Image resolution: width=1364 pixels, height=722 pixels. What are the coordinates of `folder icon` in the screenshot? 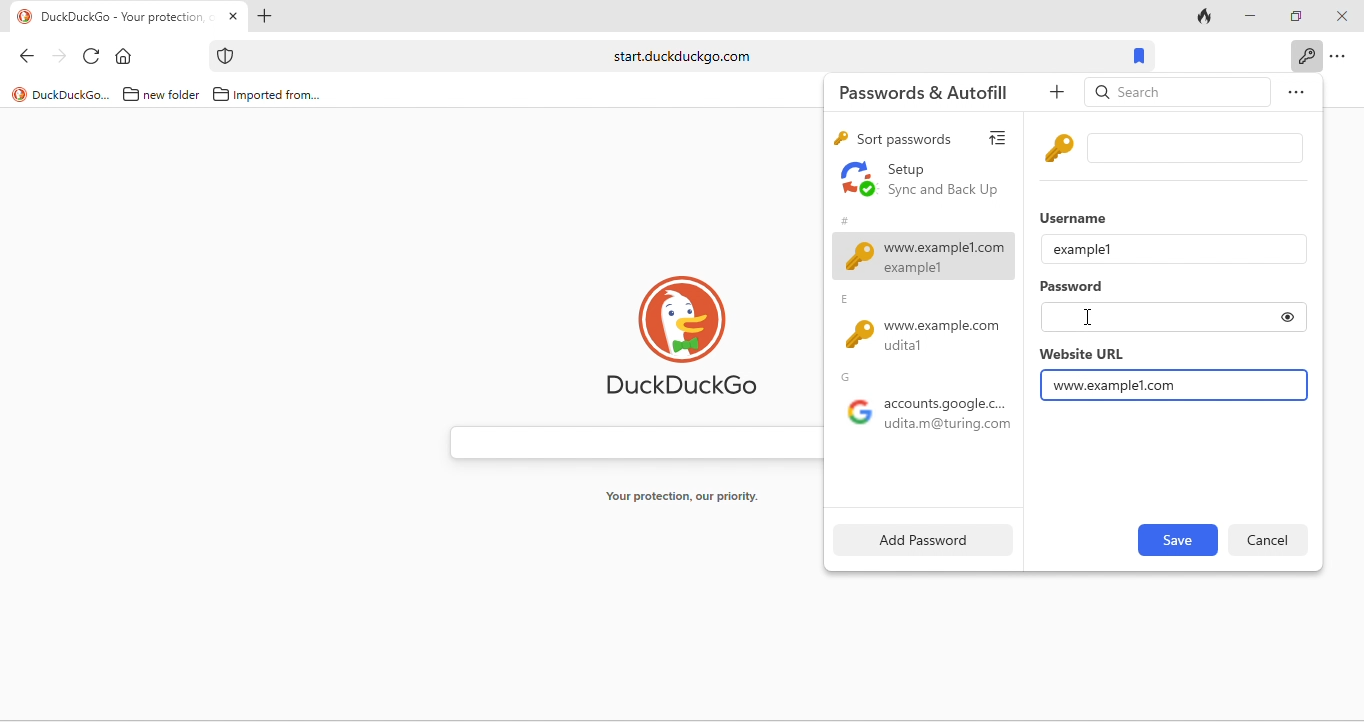 It's located at (221, 94).